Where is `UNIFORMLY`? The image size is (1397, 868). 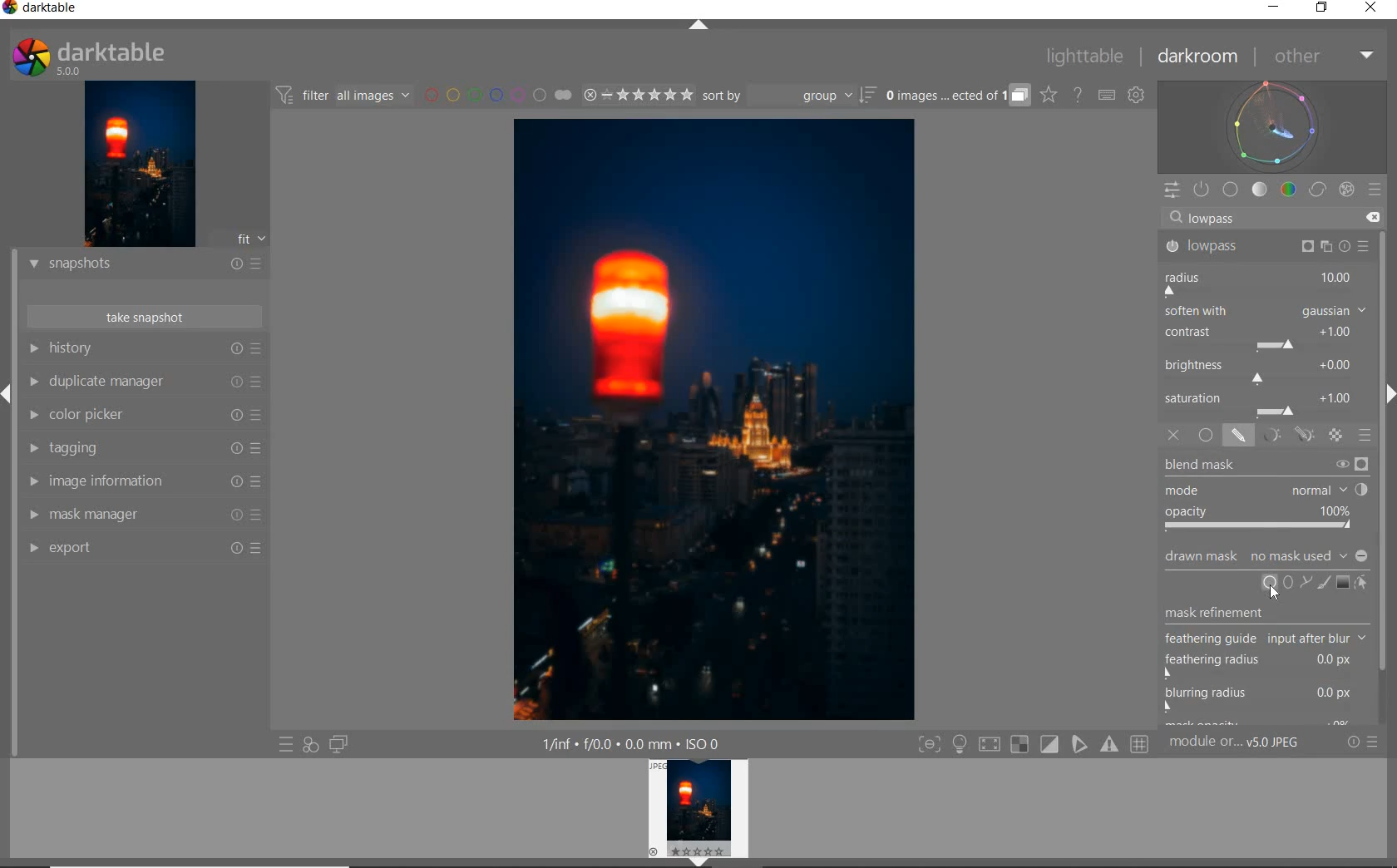
UNIFORMLY is located at coordinates (1207, 436).